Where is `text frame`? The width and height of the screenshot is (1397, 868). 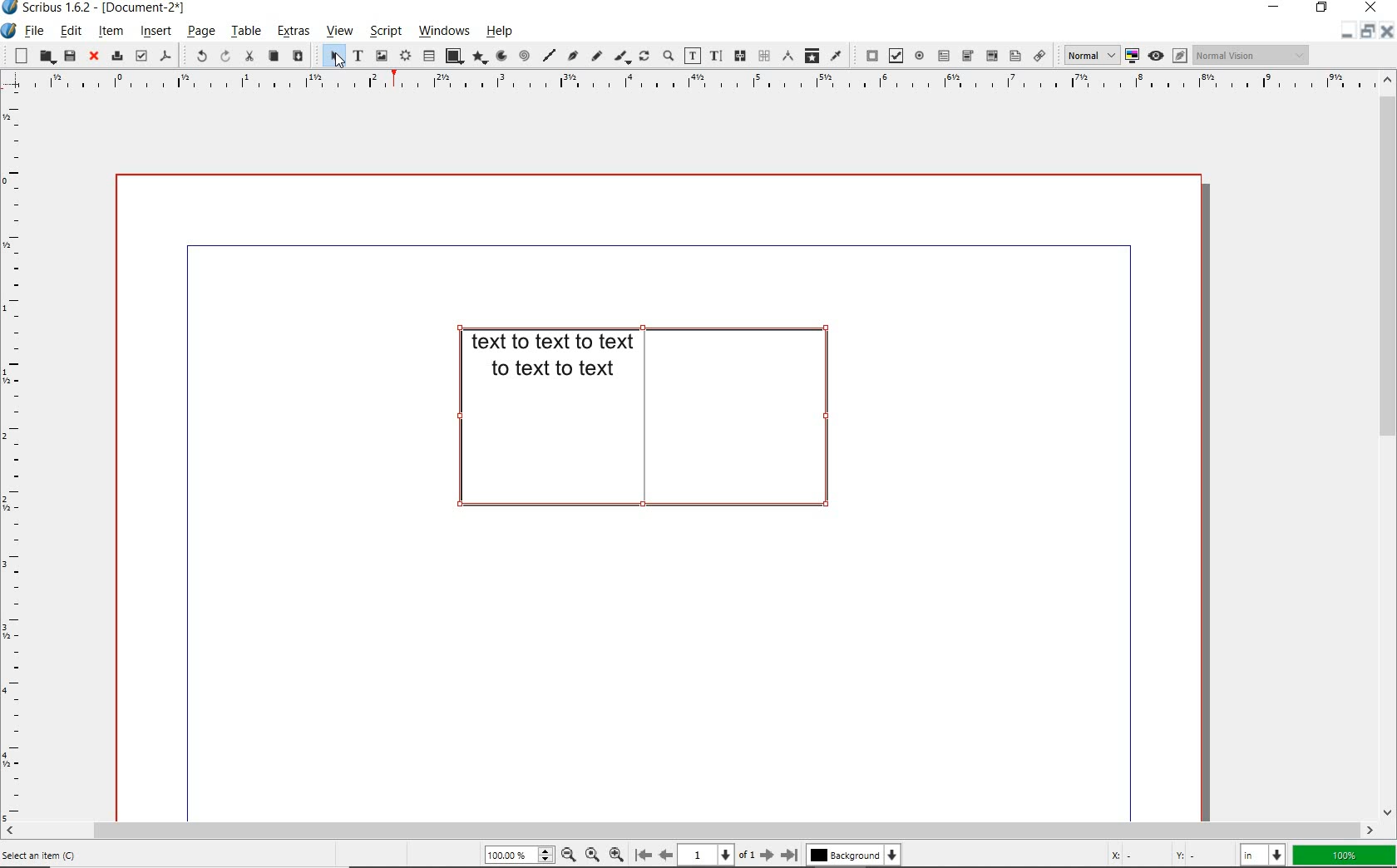
text frame is located at coordinates (358, 56).